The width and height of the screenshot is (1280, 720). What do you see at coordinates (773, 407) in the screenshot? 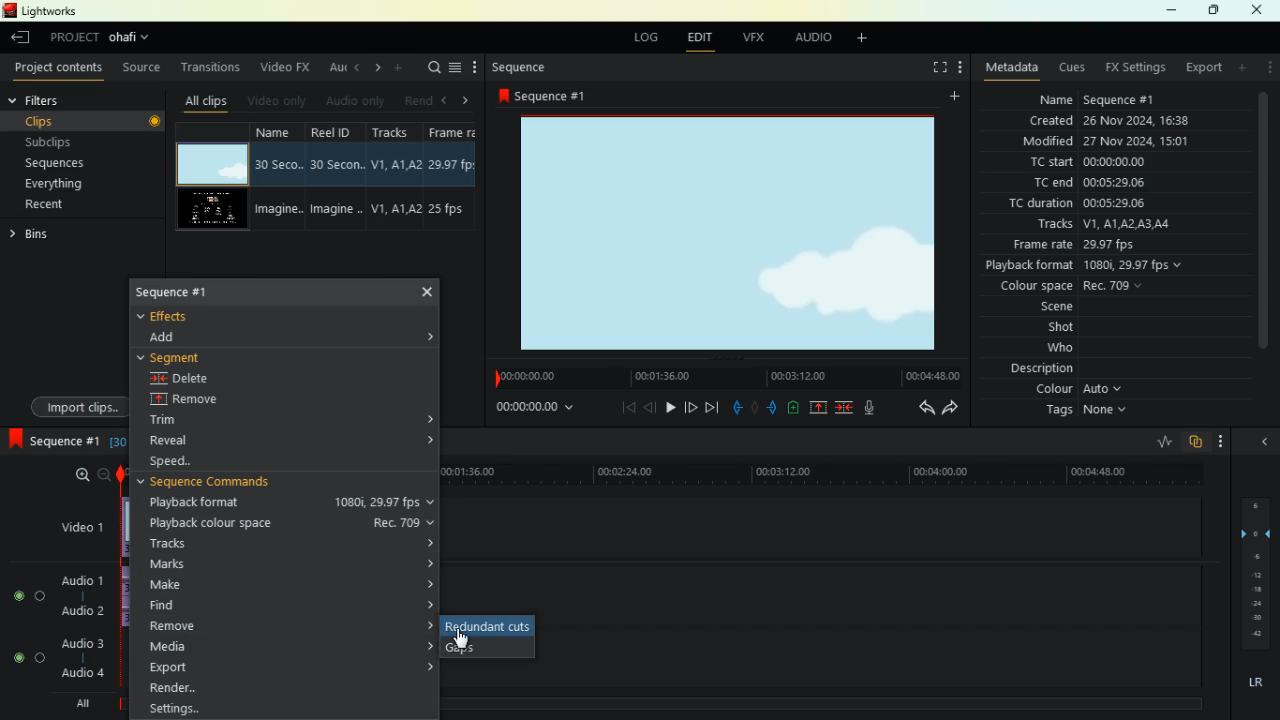
I see `push` at bounding box center [773, 407].